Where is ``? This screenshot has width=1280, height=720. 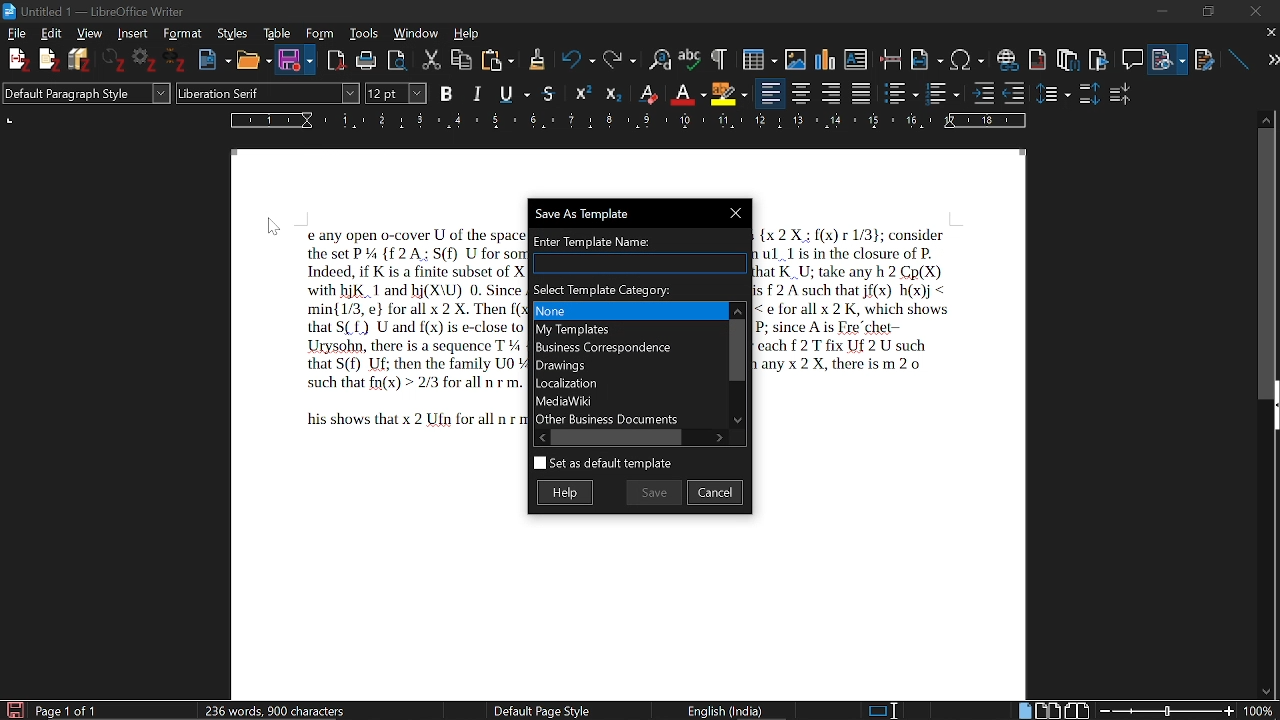
 is located at coordinates (536, 59).